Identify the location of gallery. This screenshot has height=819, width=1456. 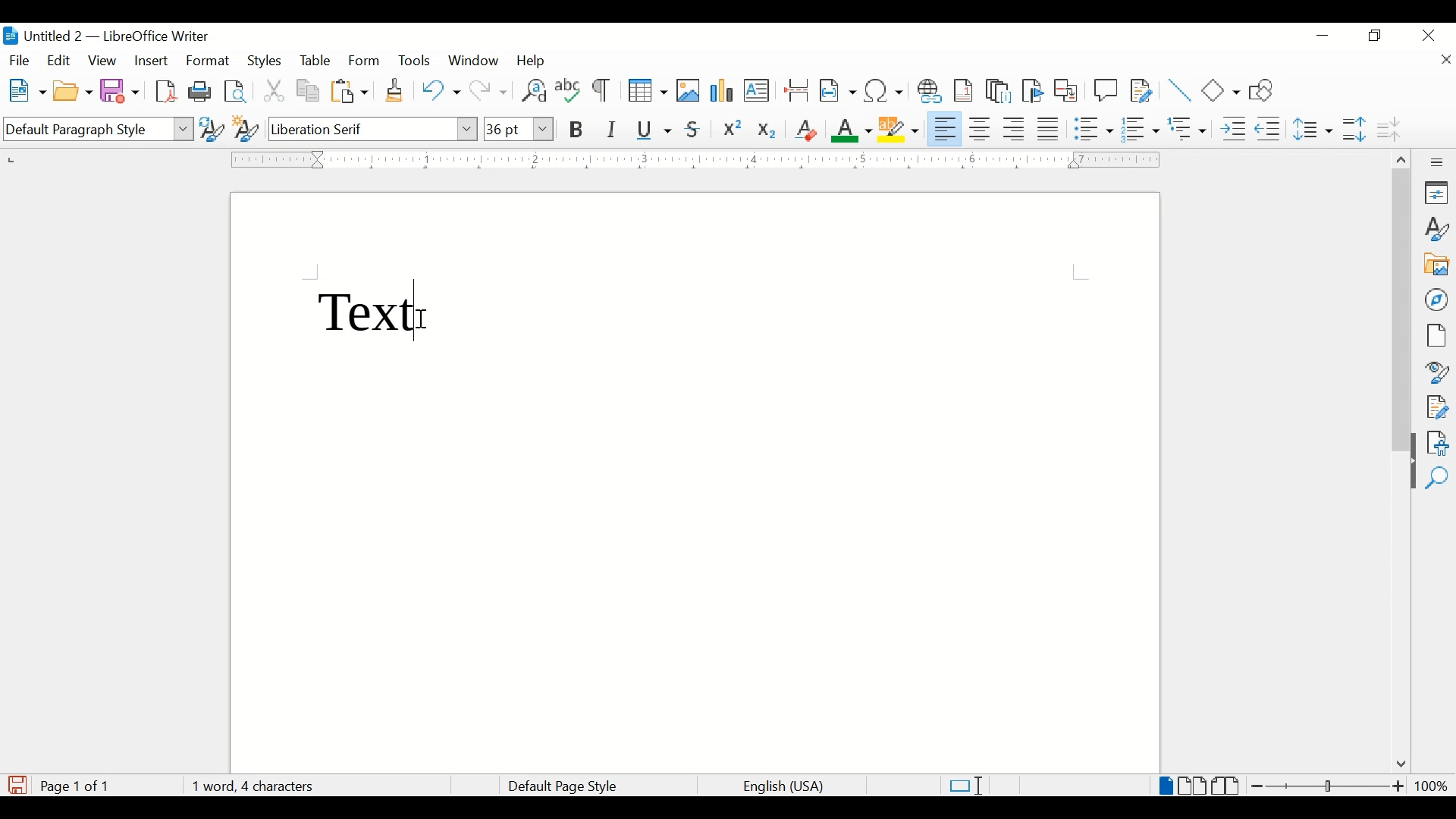
(1437, 265).